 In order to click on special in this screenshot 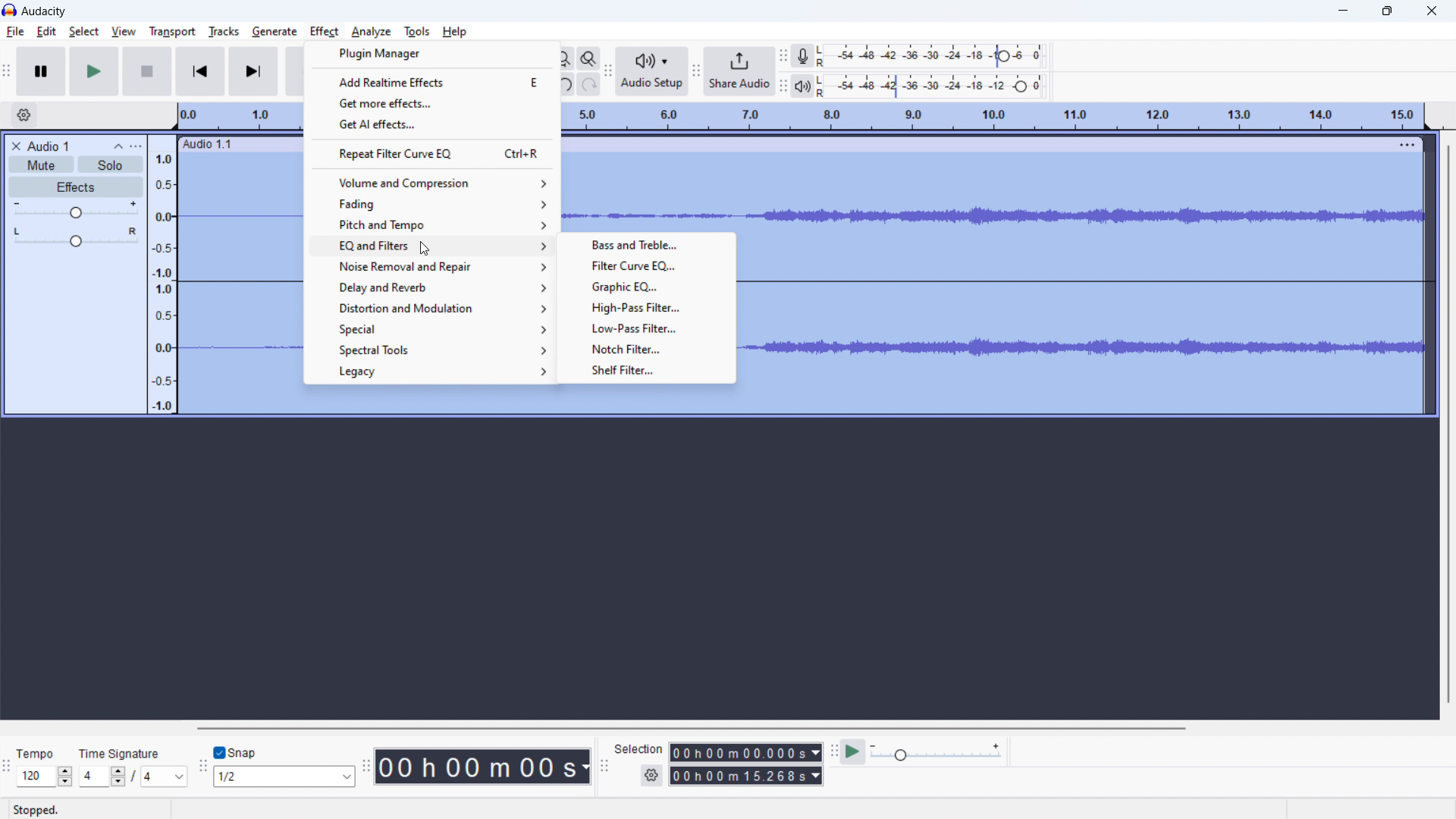, I will do `click(428, 329)`.